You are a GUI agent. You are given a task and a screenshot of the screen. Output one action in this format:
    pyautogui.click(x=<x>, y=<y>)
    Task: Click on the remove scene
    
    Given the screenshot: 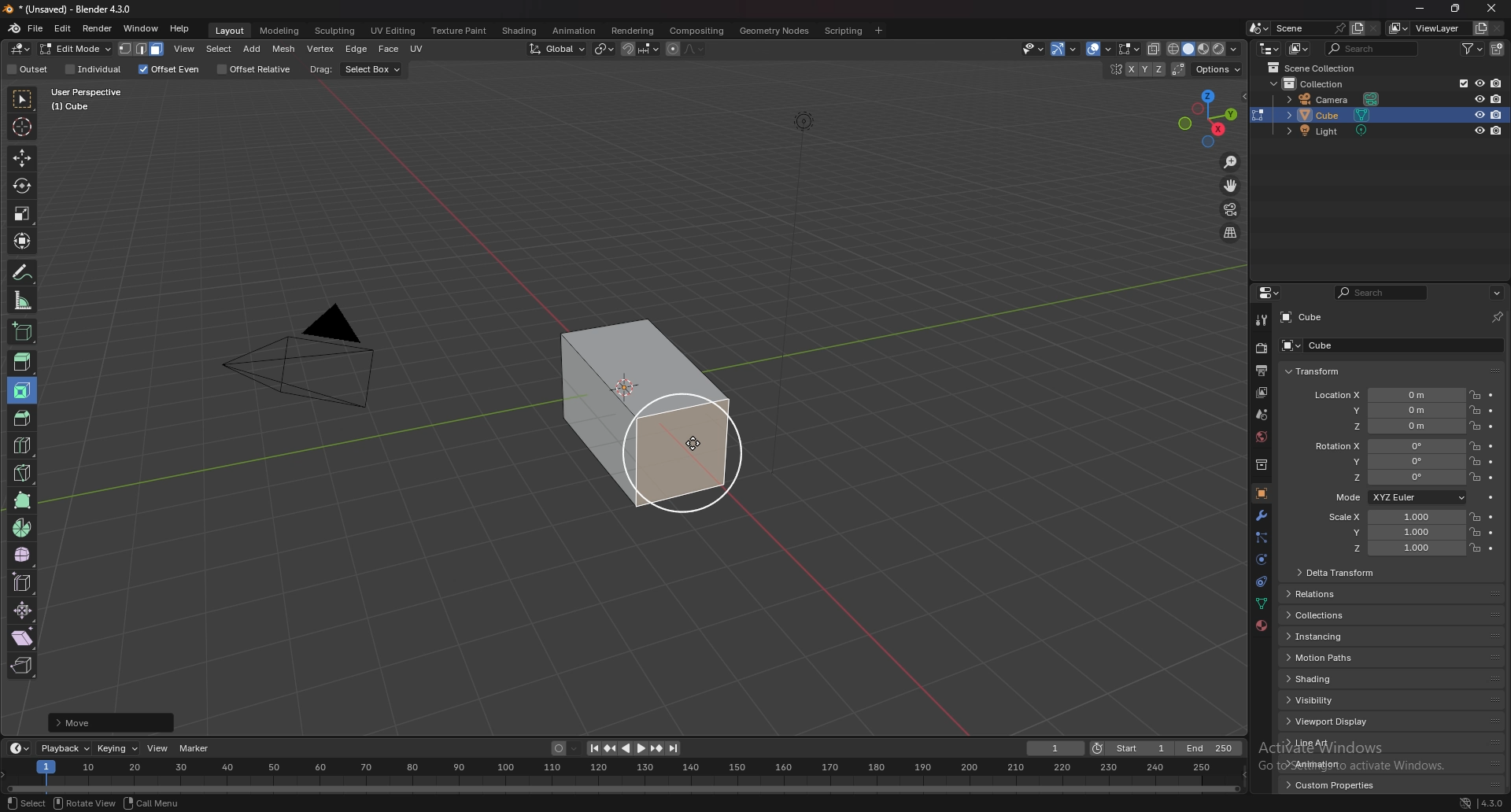 What is the action you would take?
    pyautogui.click(x=1373, y=28)
    